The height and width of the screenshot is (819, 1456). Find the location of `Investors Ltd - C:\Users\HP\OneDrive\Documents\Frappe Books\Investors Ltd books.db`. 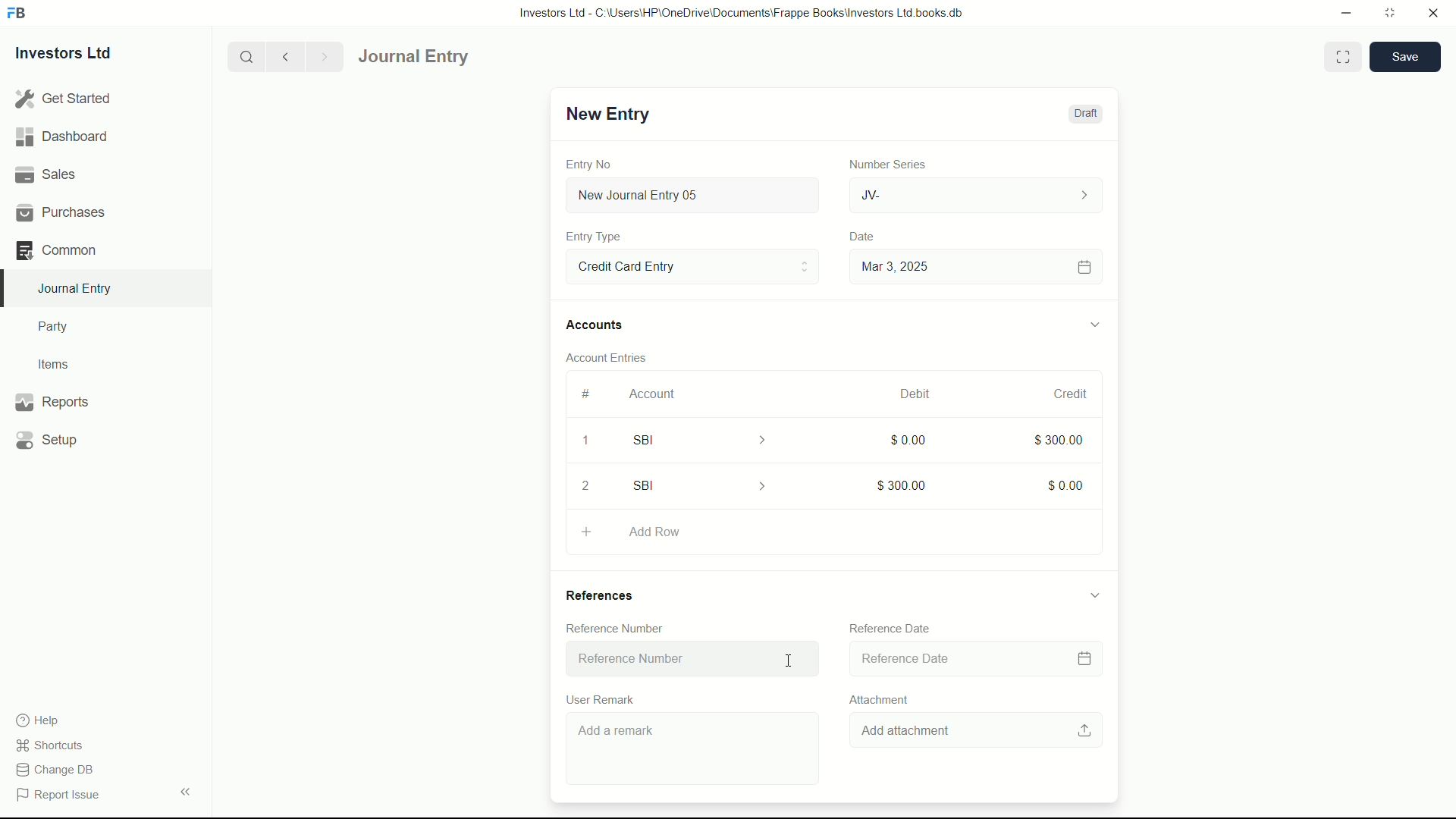

Investors Ltd - C:\Users\HP\OneDrive\Documents\Frappe Books\Investors Ltd books.db is located at coordinates (743, 12).